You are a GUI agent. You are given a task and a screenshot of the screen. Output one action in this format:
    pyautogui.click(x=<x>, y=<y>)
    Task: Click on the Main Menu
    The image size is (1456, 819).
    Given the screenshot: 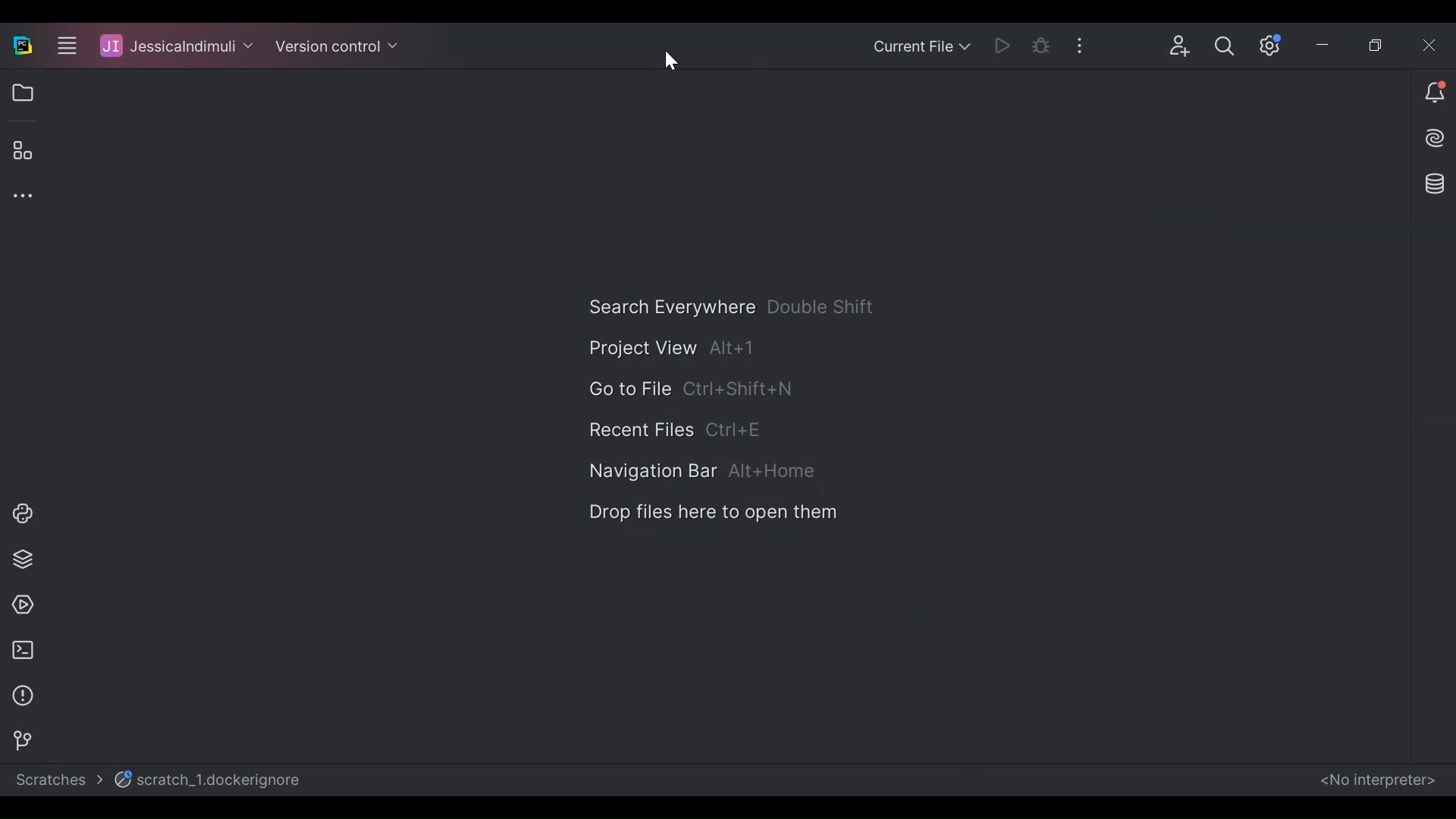 What is the action you would take?
    pyautogui.click(x=61, y=47)
    